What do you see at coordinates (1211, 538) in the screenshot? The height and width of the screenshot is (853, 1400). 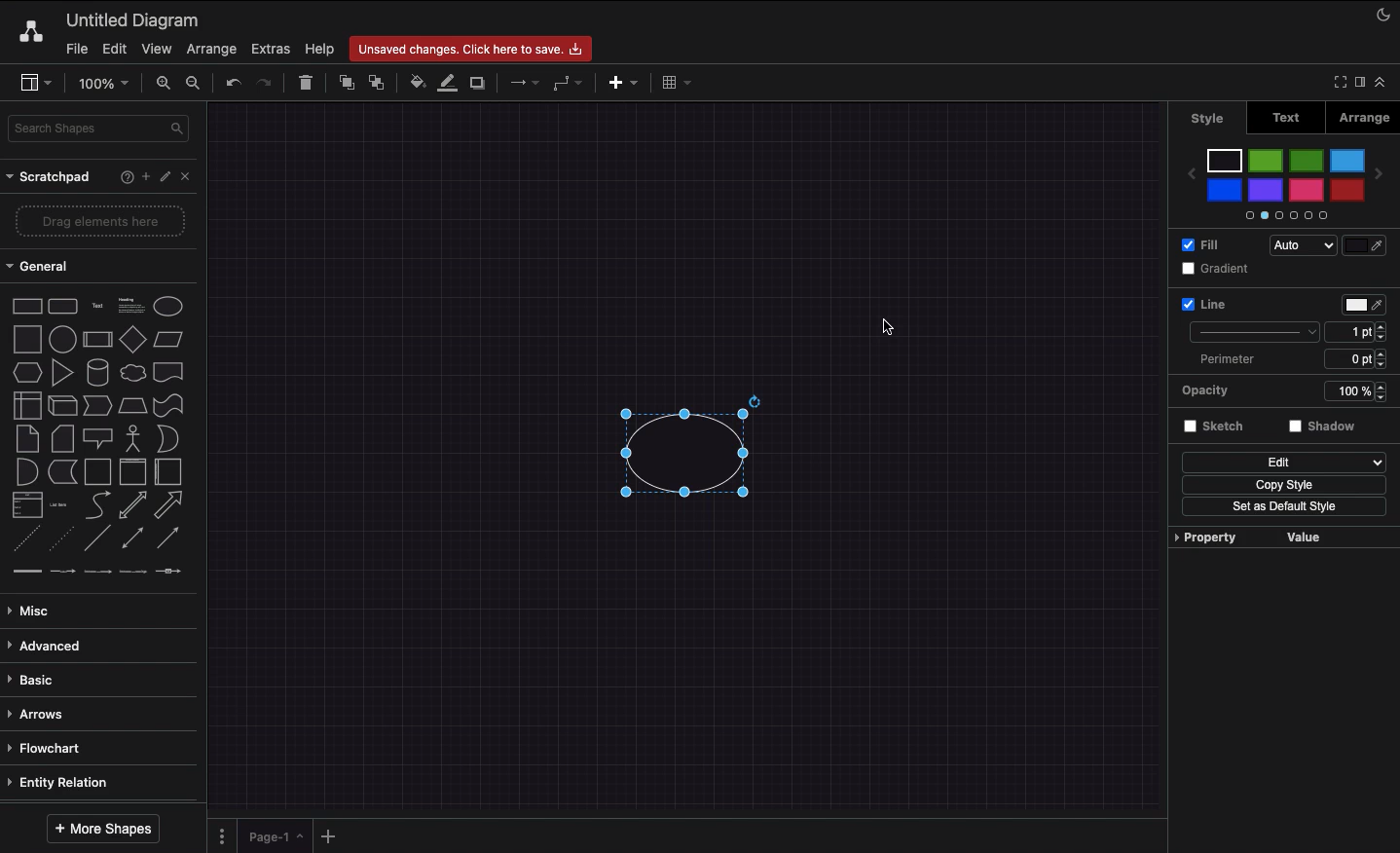 I see `Property` at bounding box center [1211, 538].